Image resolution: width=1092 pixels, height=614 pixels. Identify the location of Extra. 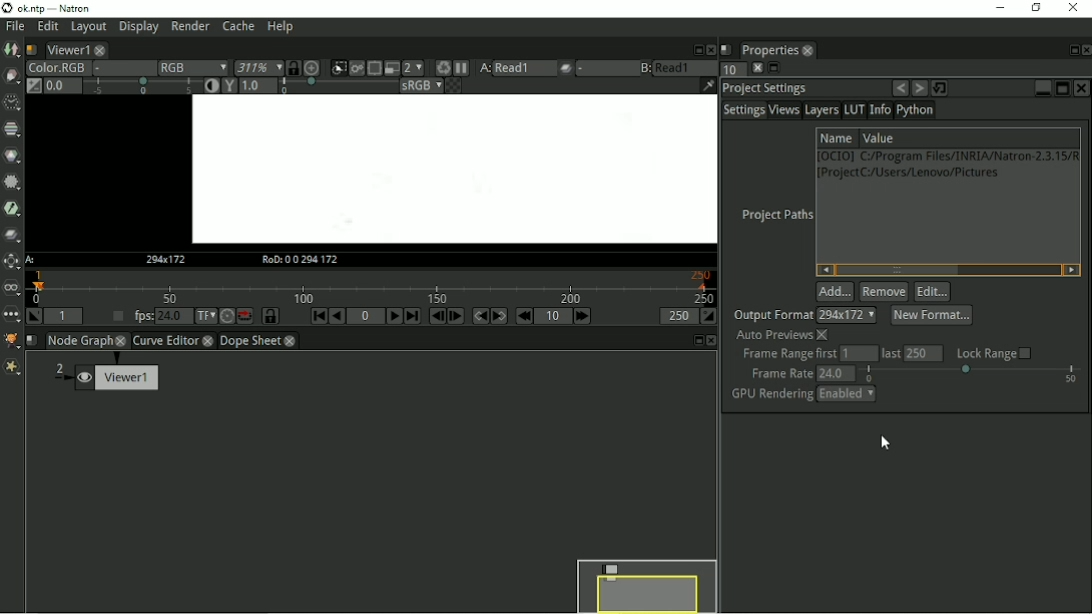
(12, 367).